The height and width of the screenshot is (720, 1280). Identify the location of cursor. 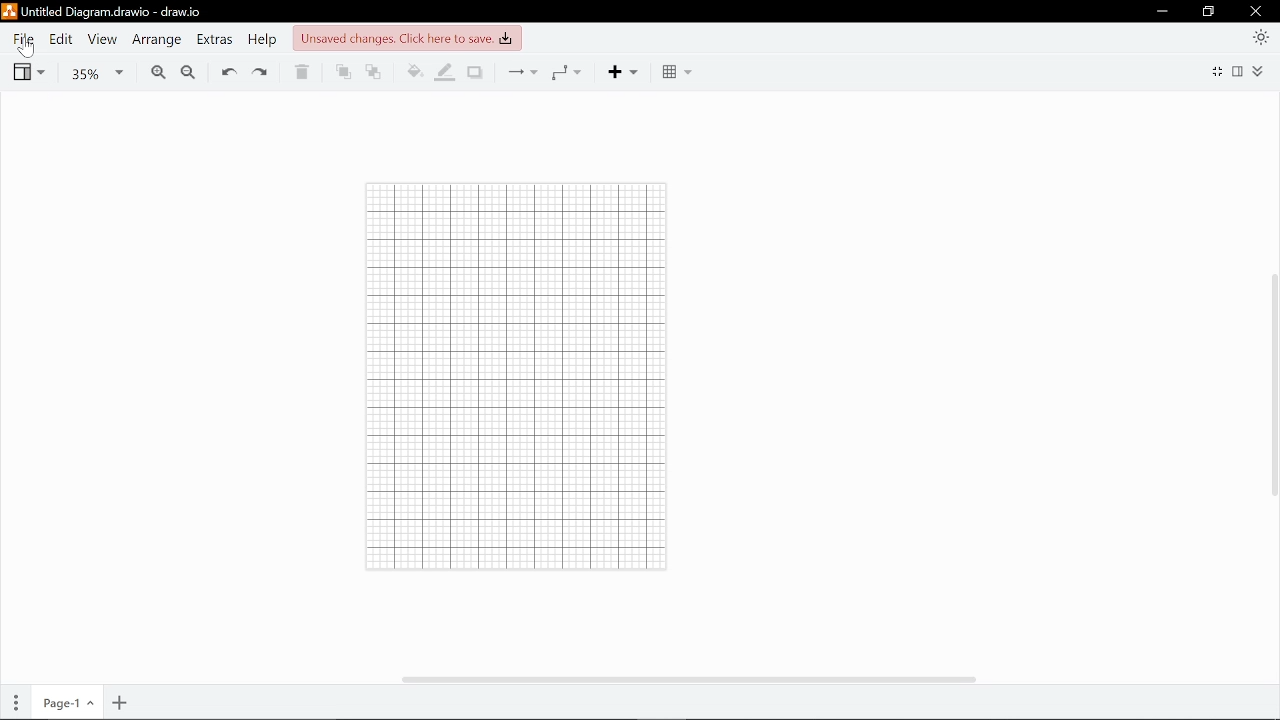
(29, 51).